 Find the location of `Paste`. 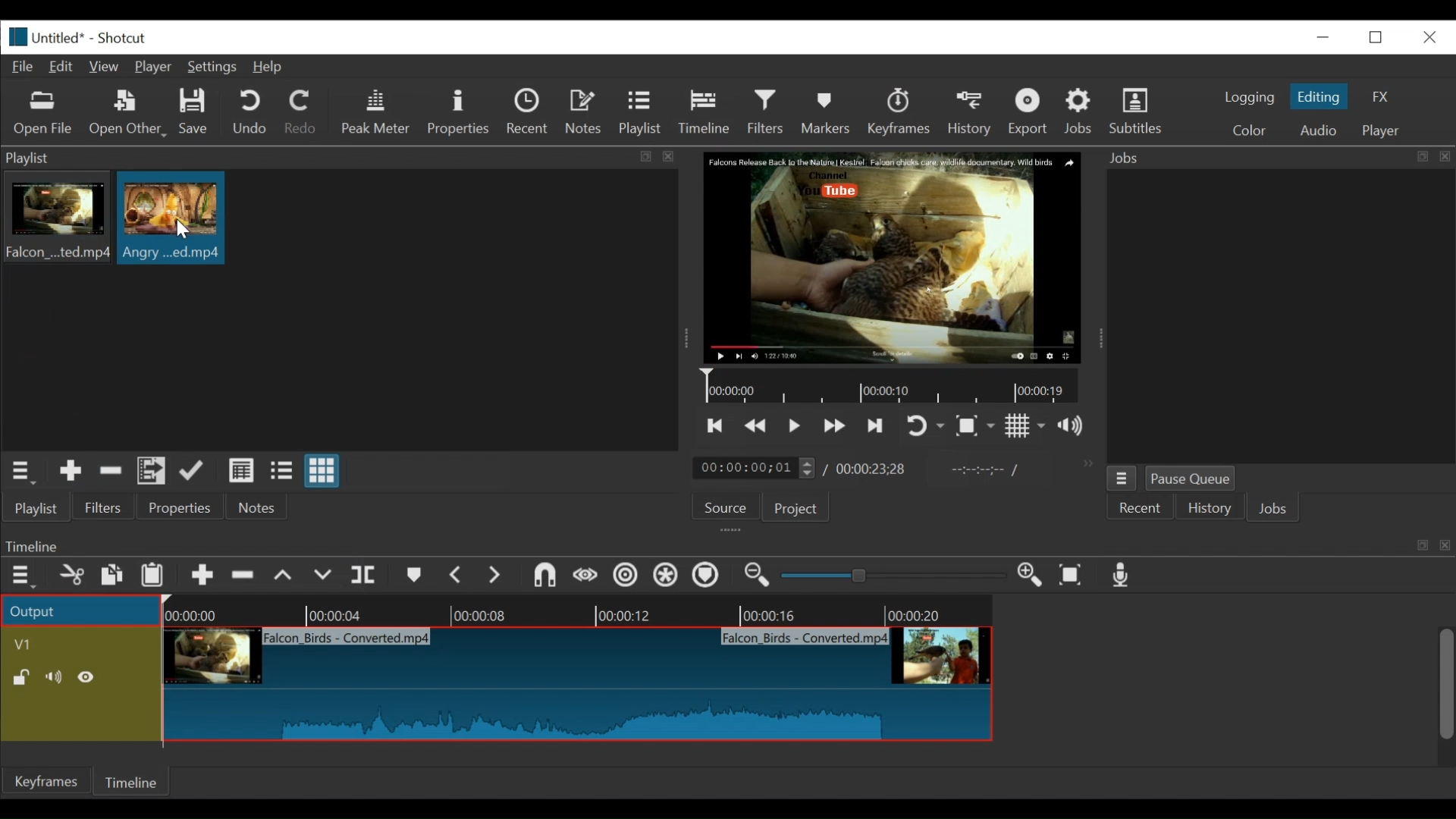

Paste is located at coordinates (158, 577).